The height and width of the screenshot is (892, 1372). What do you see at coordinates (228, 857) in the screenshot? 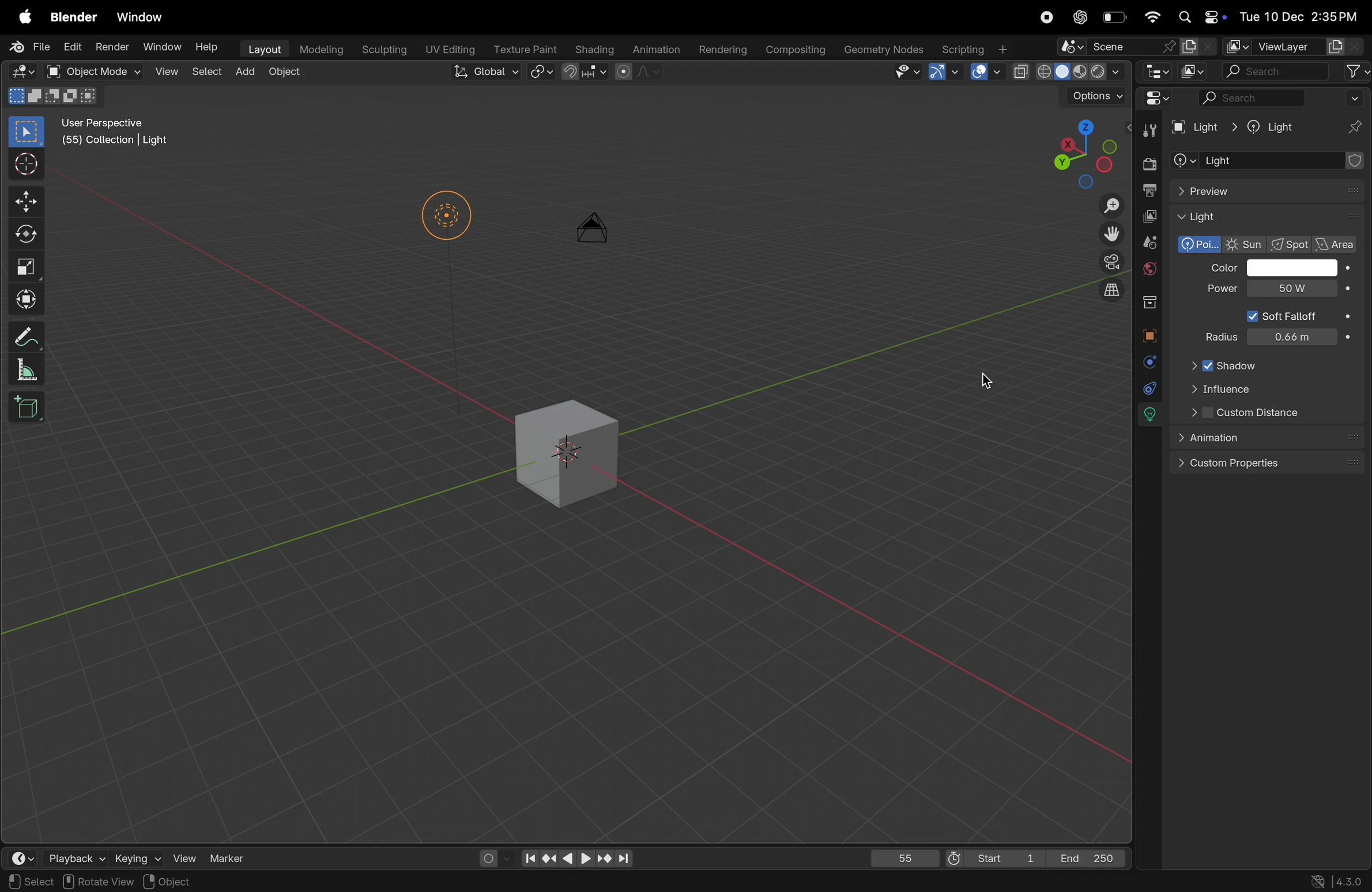
I see `marker` at bounding box center [228, 857].